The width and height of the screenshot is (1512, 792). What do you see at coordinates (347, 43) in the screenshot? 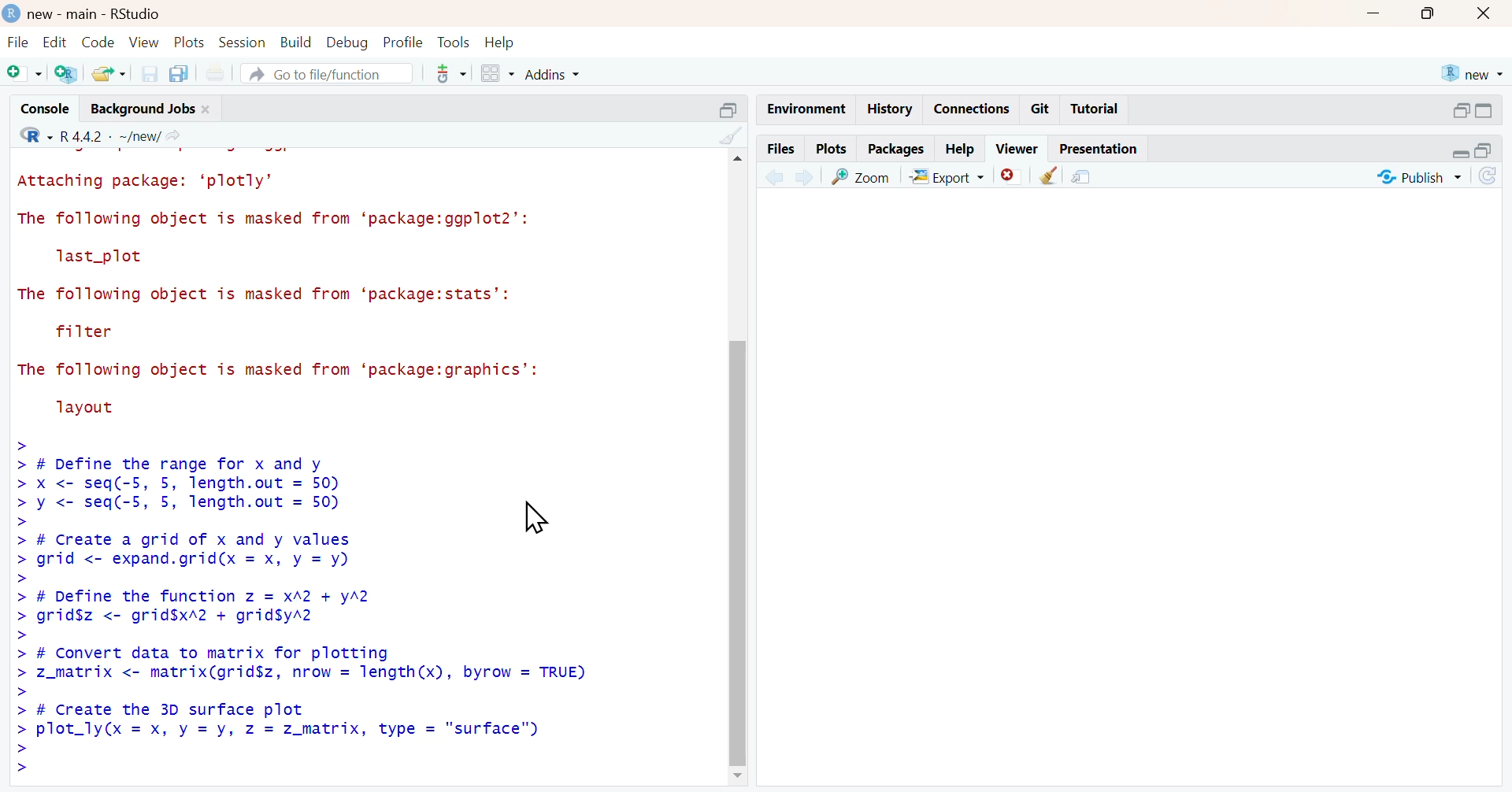
I see `debug` at bounding box center [347, 43].